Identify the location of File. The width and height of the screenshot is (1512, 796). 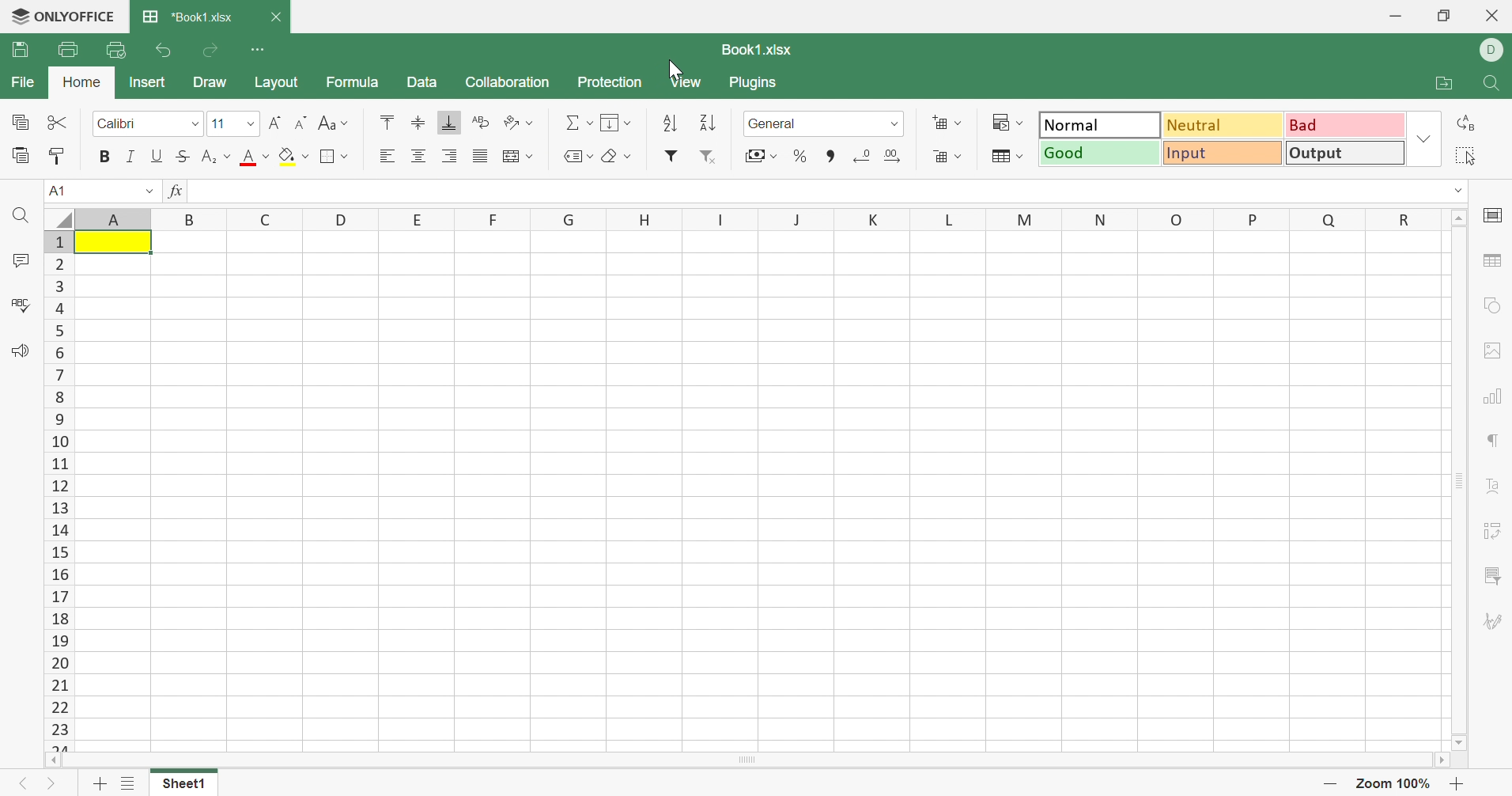
(23, 83).